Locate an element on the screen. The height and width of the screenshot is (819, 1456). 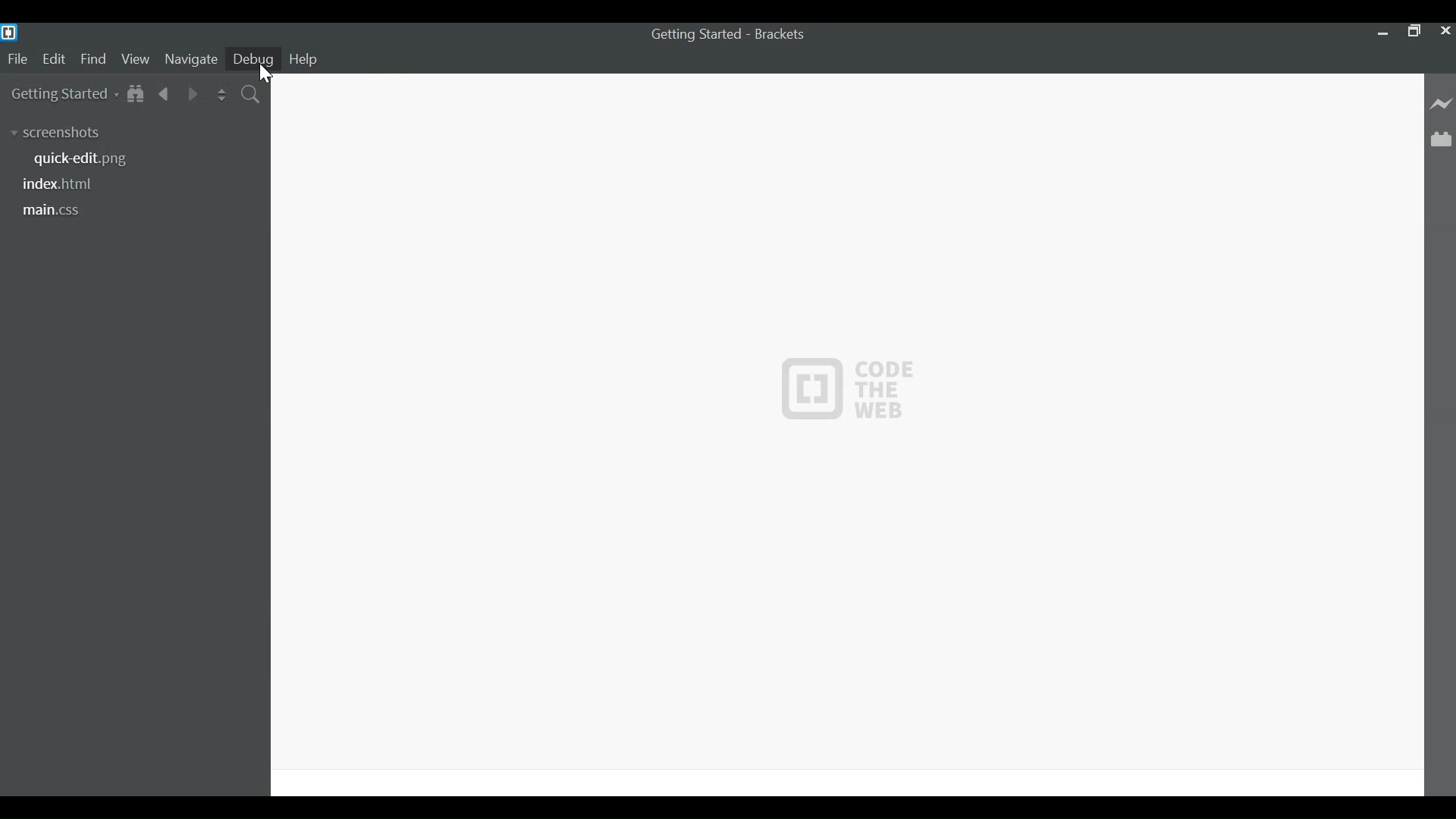
Cursor is located at coordinates (262, 74).